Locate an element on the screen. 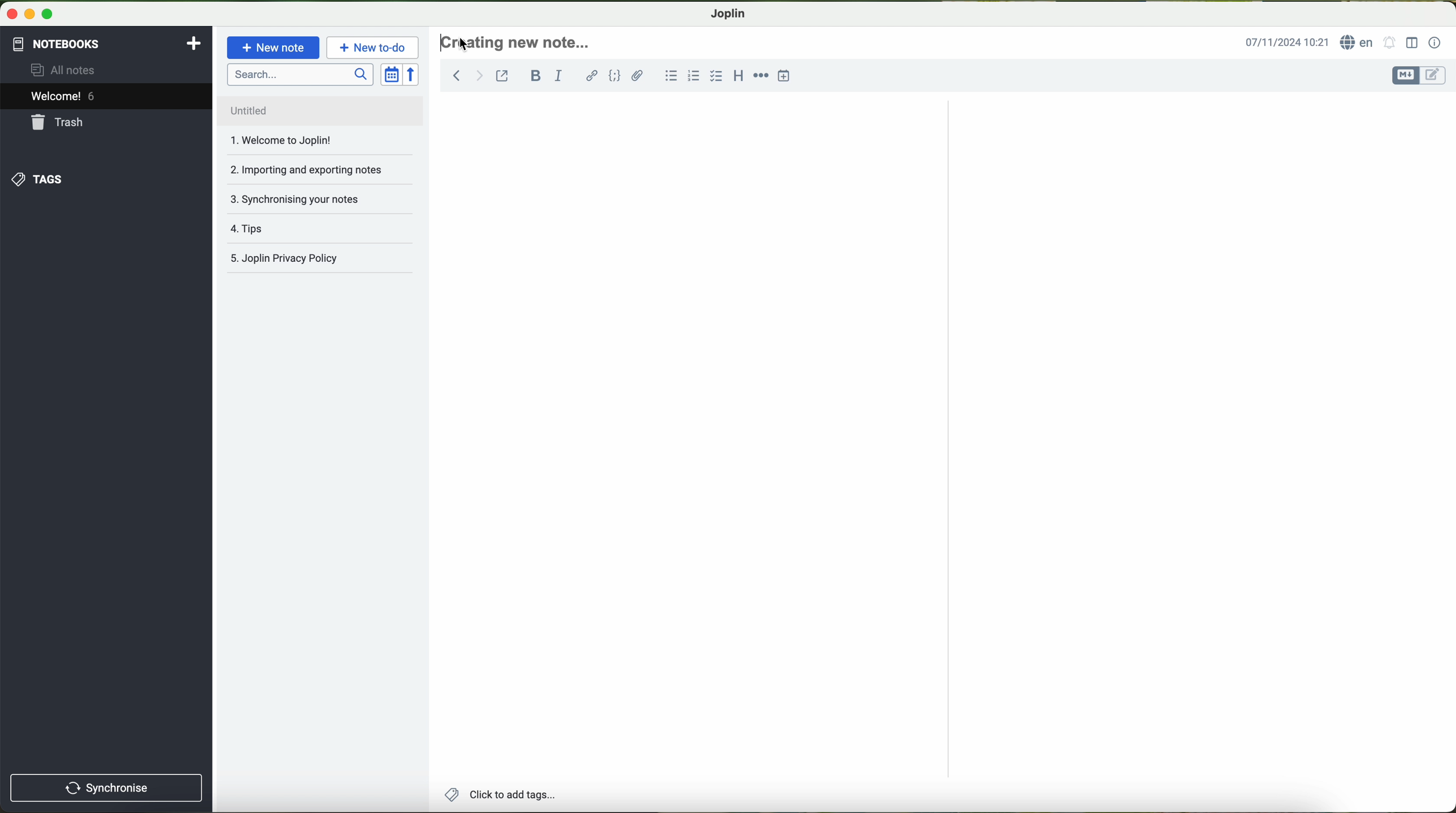  hyperlink is located at coordinates (592, 76).